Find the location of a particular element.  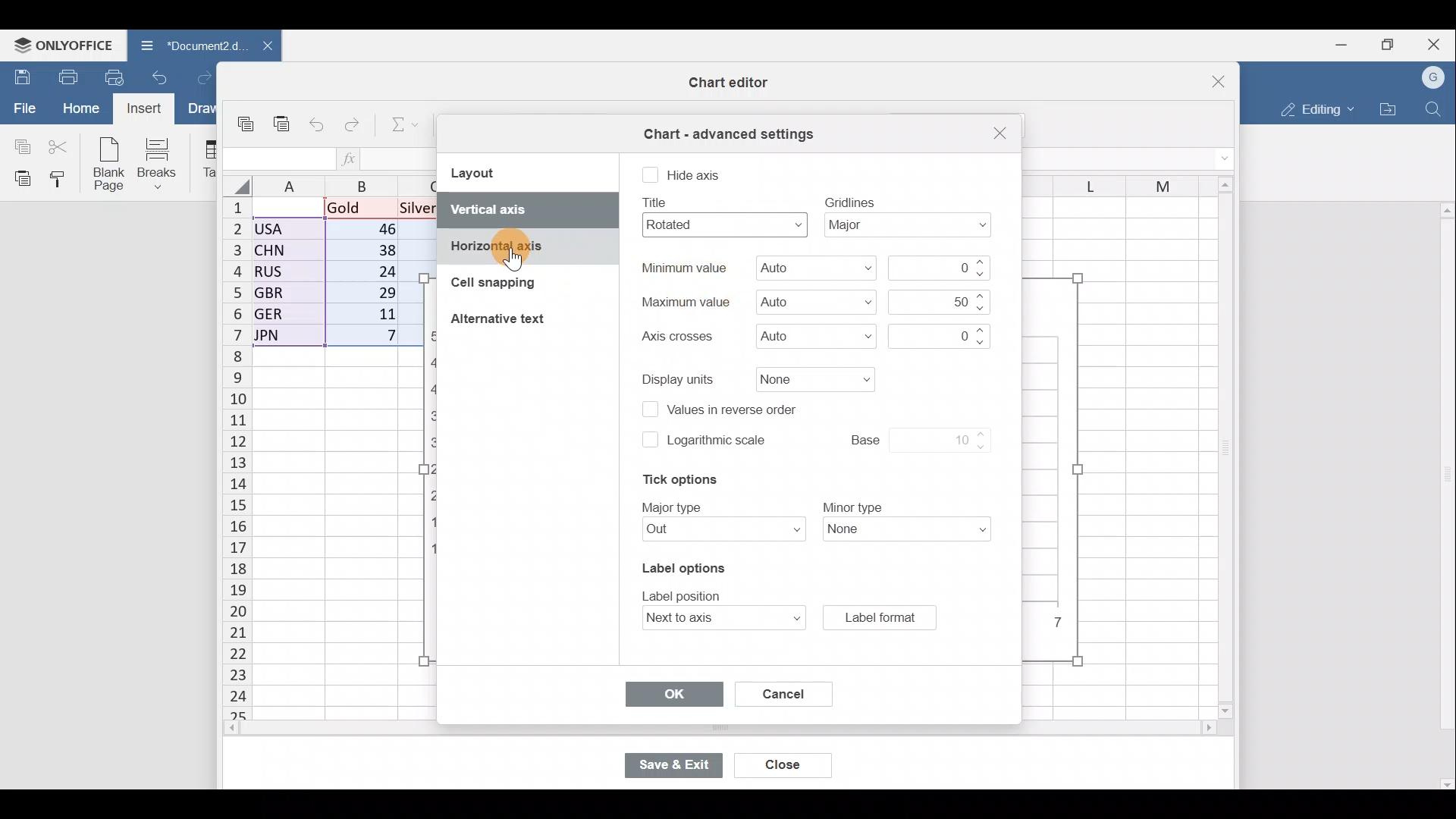

Find is located at coordinates (1434, 109).